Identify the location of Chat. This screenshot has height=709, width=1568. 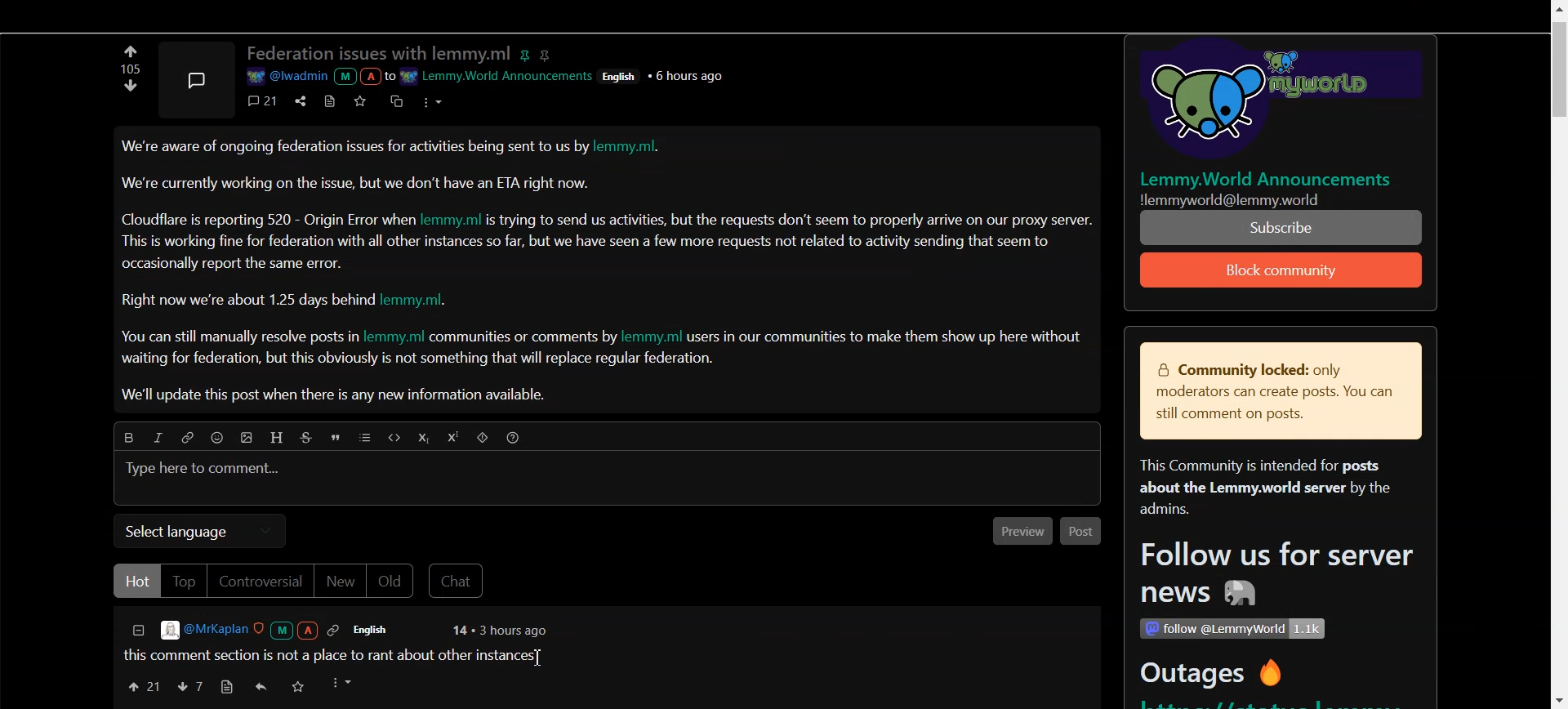
(459, 582).